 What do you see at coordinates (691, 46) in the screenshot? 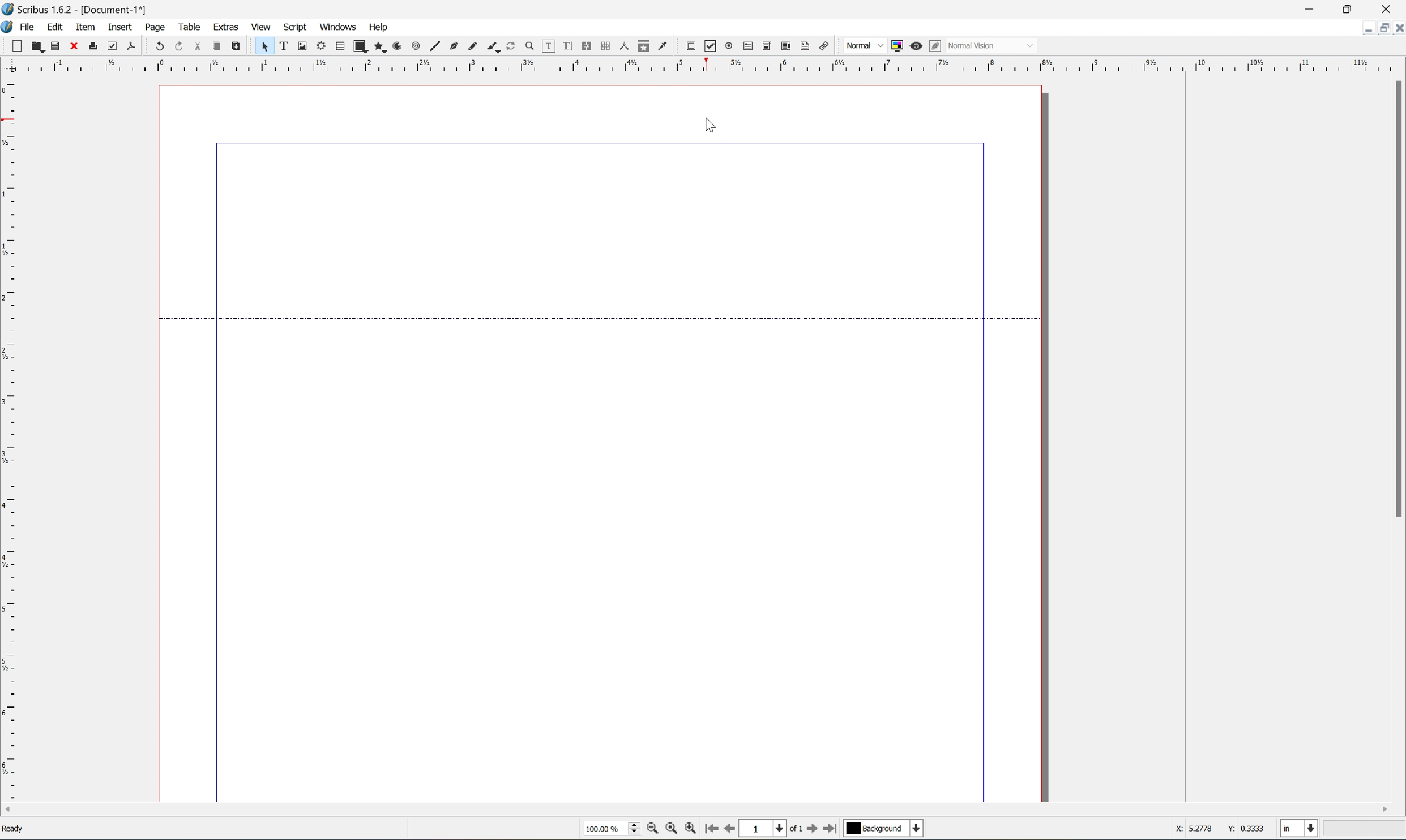
I see `pdf push button` at bounding box center [691, 46].